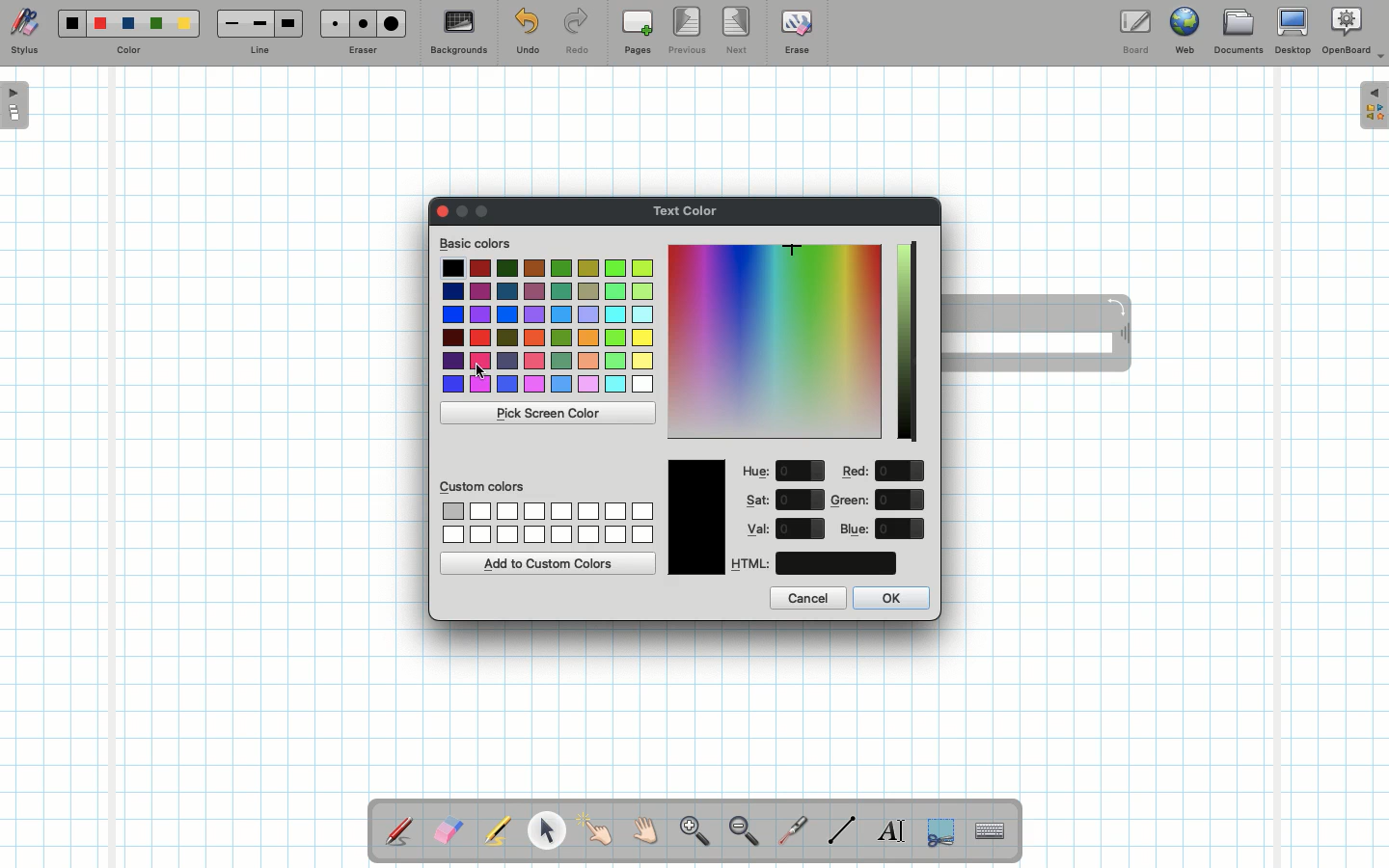 The width and height of the screenshot is (1389, 868). Describe the element at coordinates (481, 368) in the screenshot. I see `cursor` at that location.